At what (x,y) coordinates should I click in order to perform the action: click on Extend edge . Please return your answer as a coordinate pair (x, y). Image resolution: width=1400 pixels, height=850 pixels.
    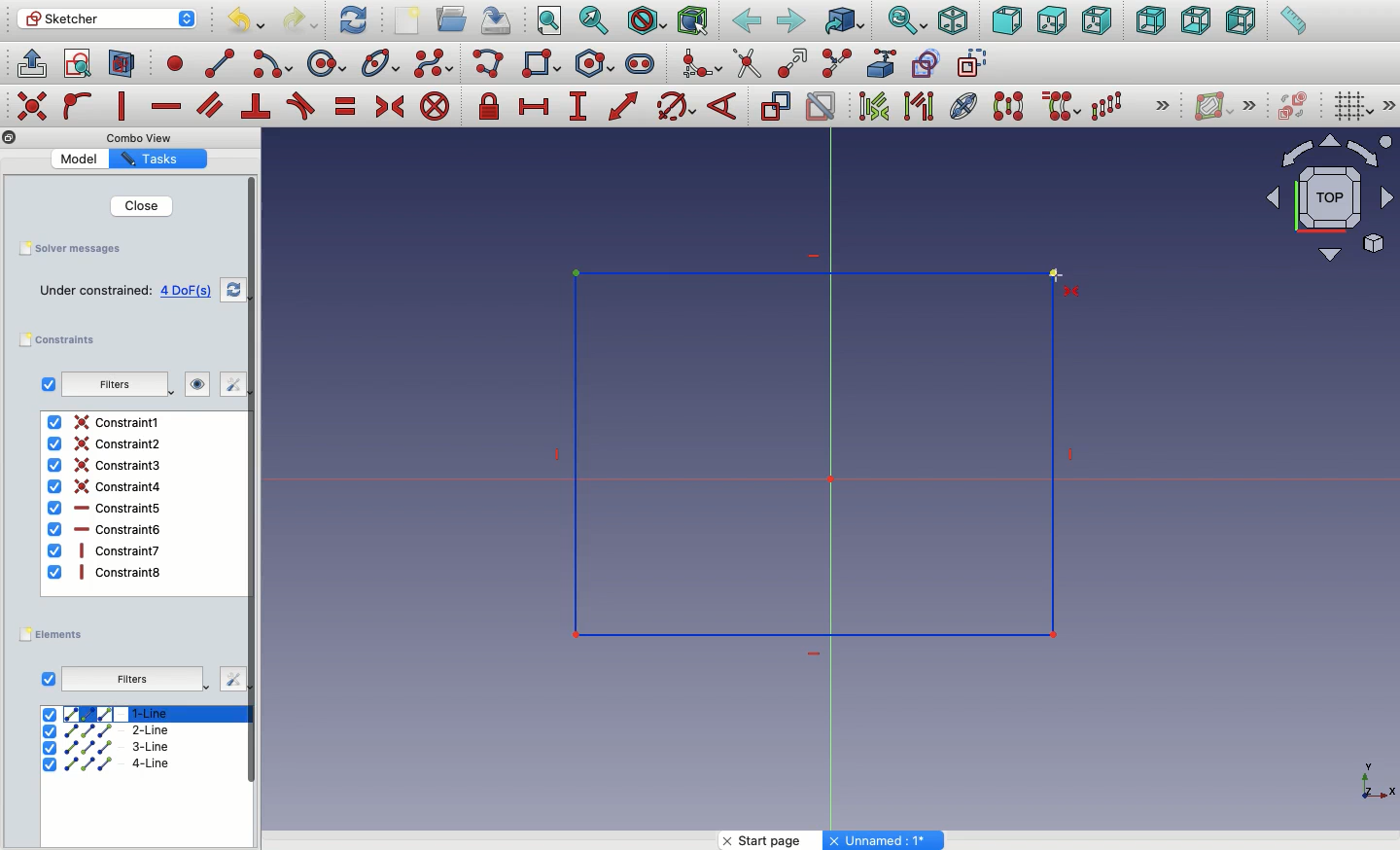
    Looking at the image, I should click on (795, 64).